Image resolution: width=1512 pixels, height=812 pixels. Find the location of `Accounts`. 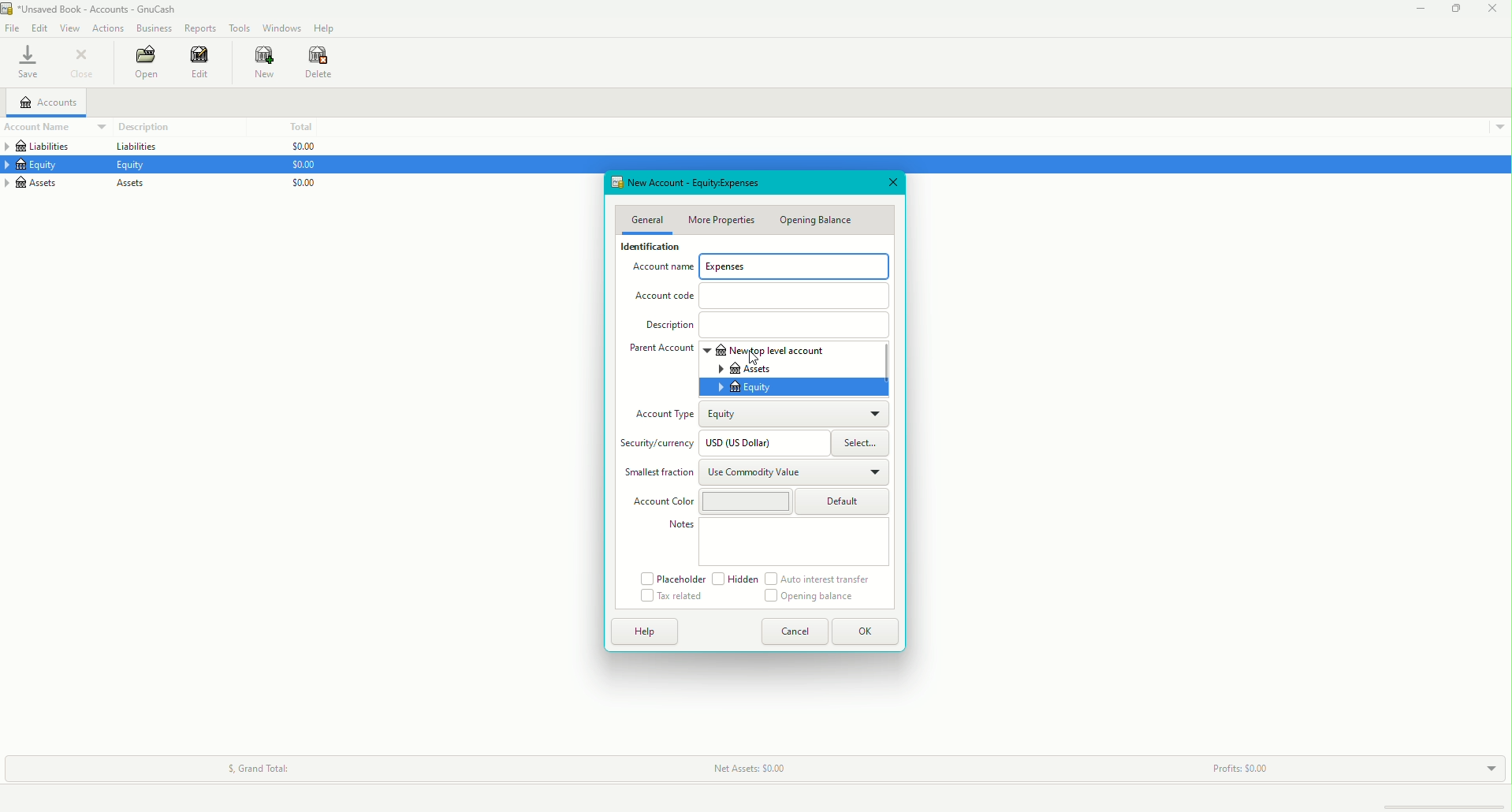

Accounts is located at coordinates (48, 102).